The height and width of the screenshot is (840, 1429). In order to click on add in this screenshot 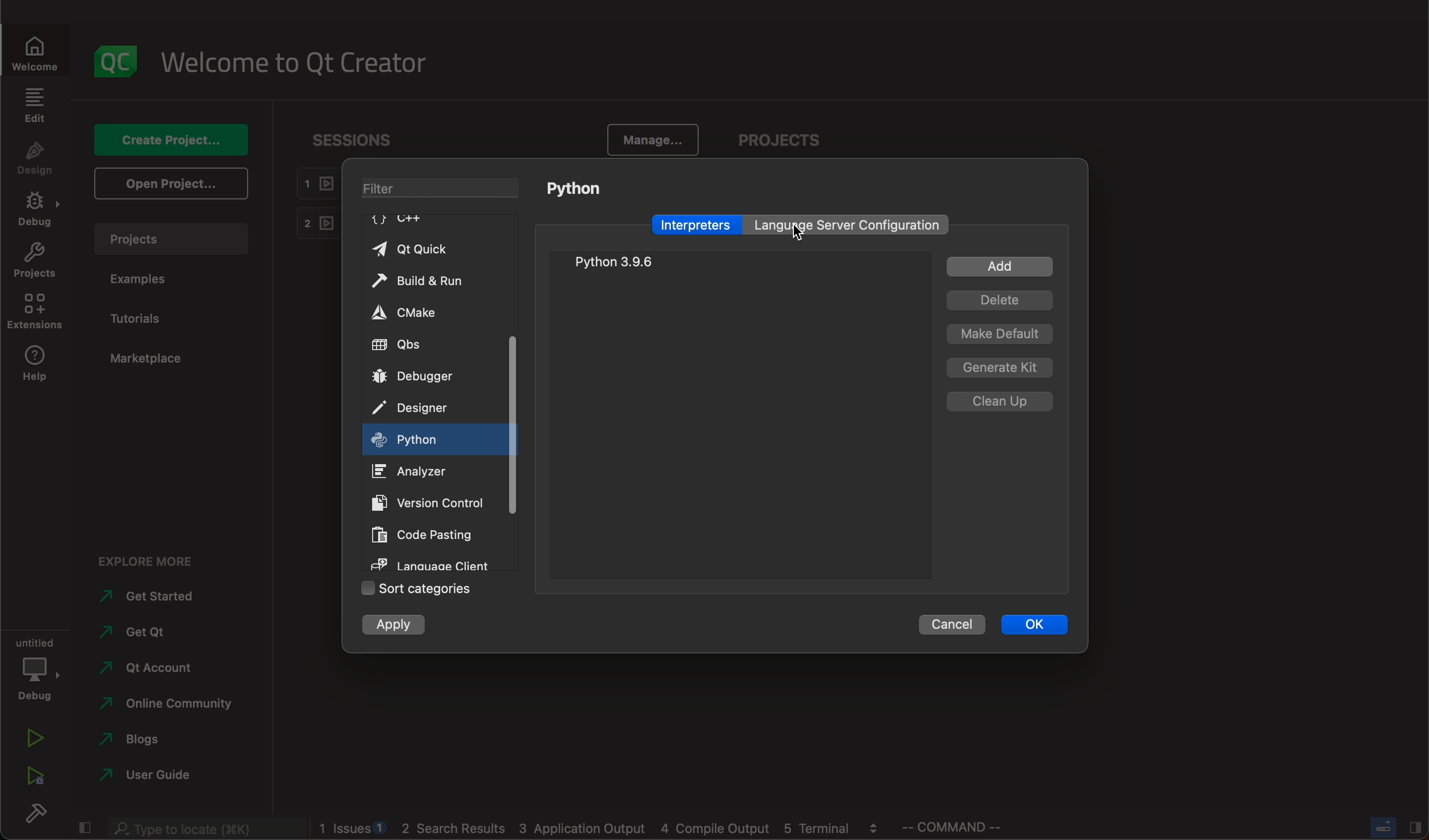, I will do `click(999, 266)`.